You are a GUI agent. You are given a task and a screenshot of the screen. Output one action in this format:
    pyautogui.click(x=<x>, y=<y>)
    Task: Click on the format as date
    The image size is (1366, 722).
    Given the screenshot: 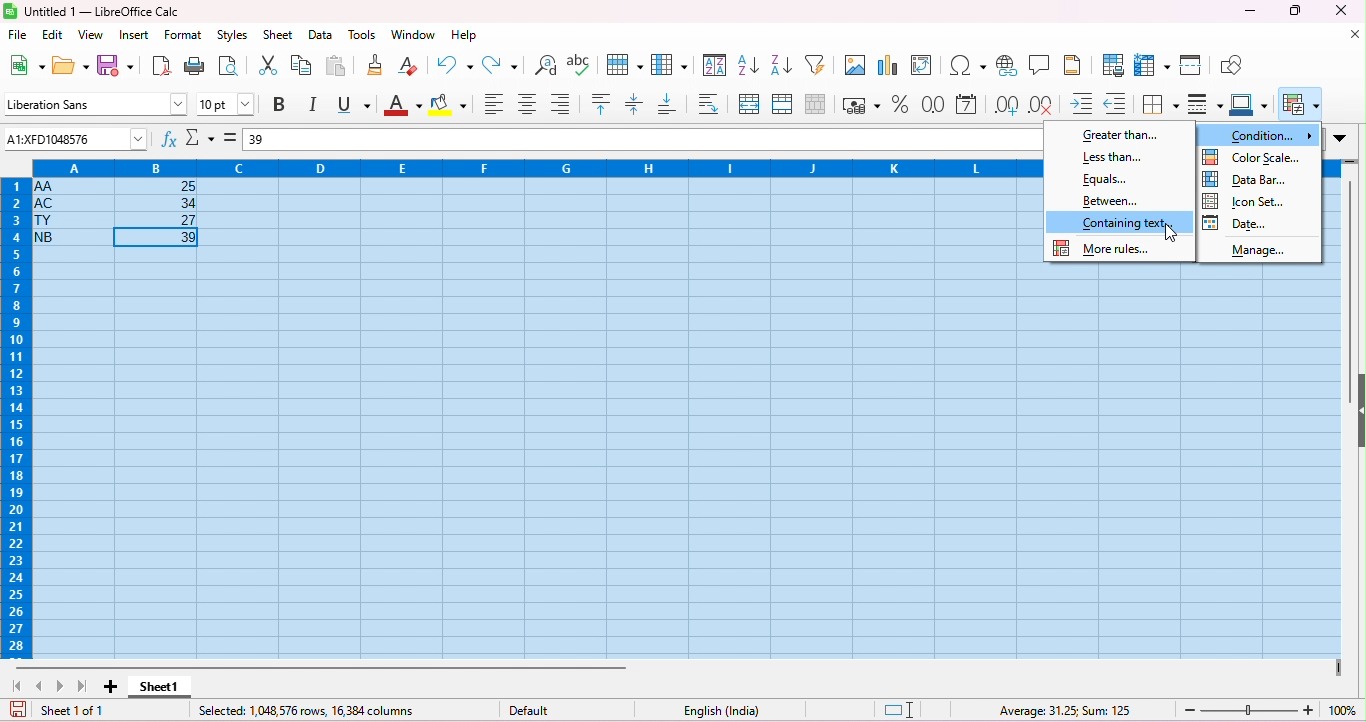 What is the action you would take?
    pyautogui.click(x=968, y=105)
    